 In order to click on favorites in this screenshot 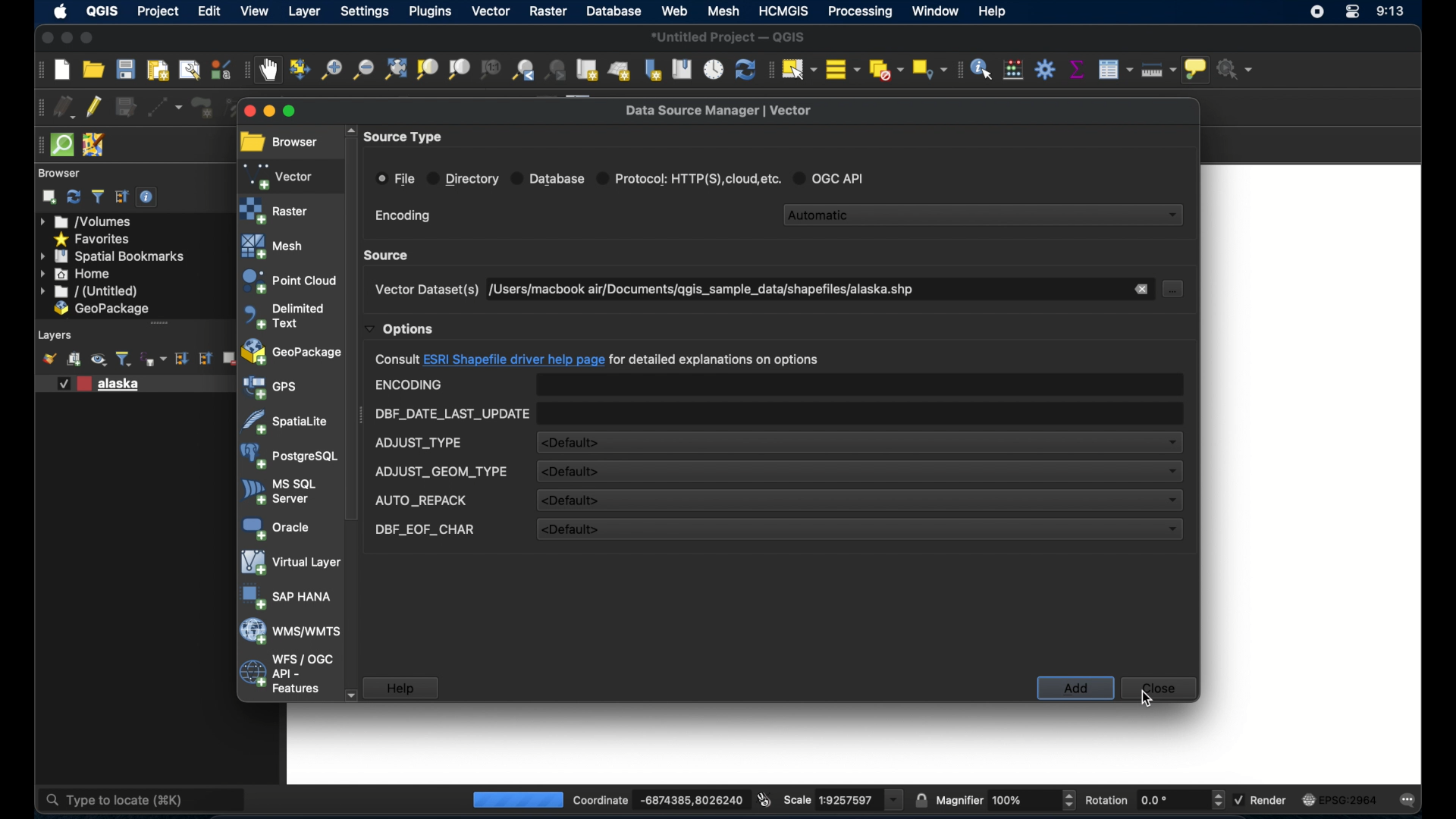, I will do `click(93, 238)`.